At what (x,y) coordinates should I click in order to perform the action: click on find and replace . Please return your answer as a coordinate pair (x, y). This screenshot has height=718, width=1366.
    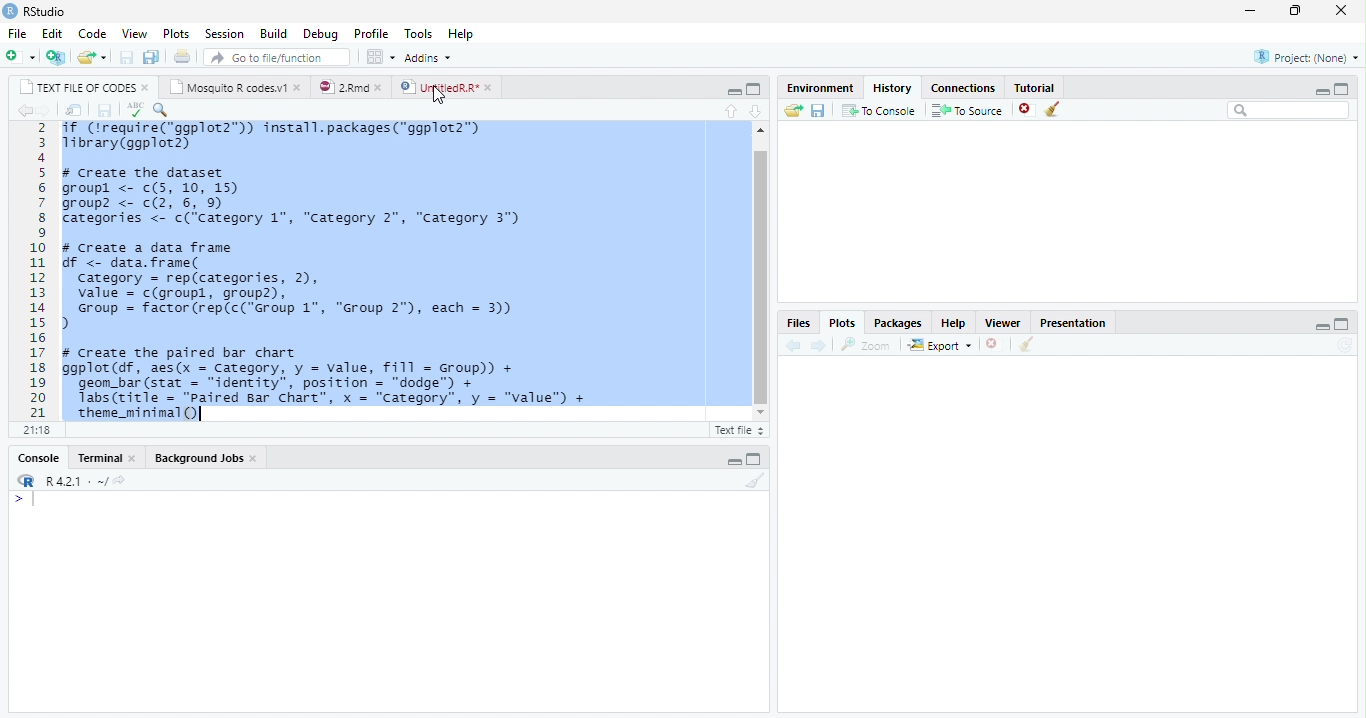
    Looking at the image, I should click on (162, 110).